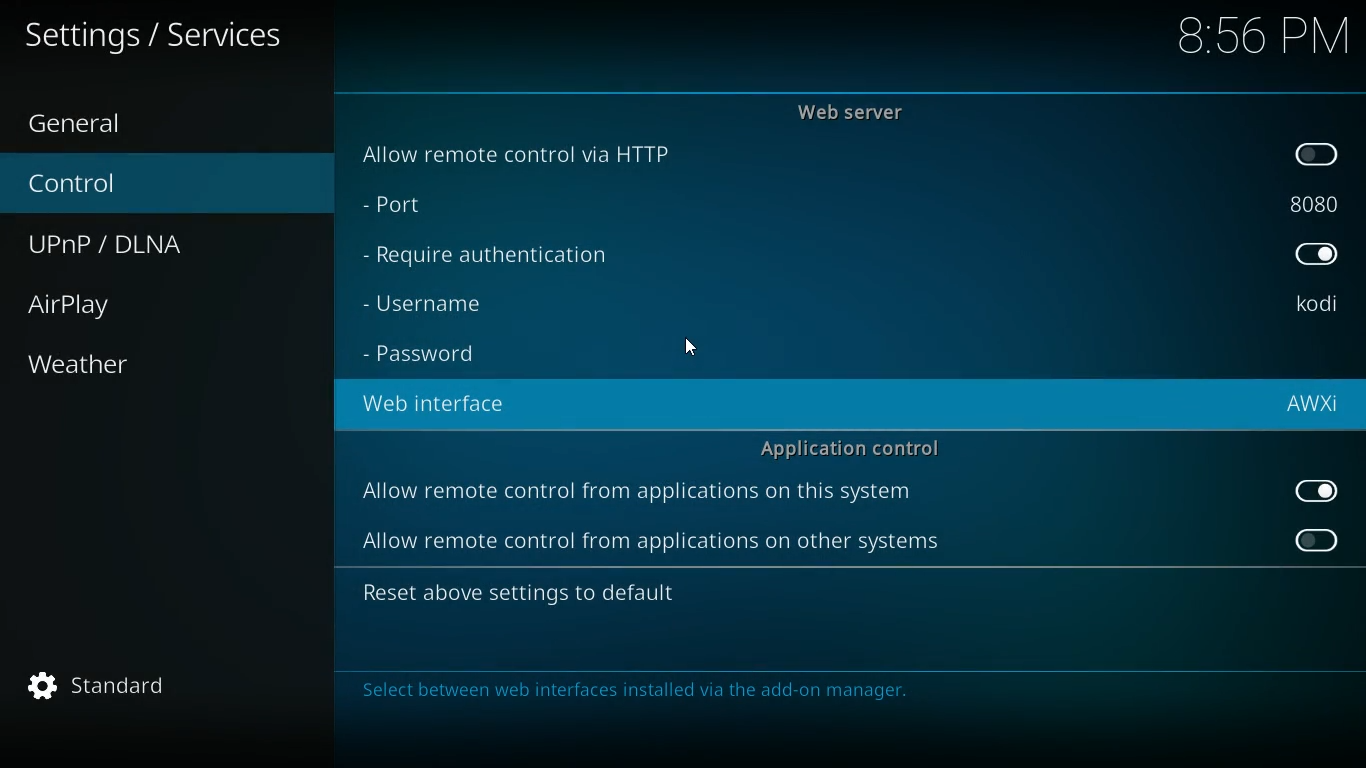 Image resolution: width=1366 pixels, height=768 pixels. What do you see at coordinates (547, 595) in the screenshot?
I see `reset` at bounding box center [547, 595].